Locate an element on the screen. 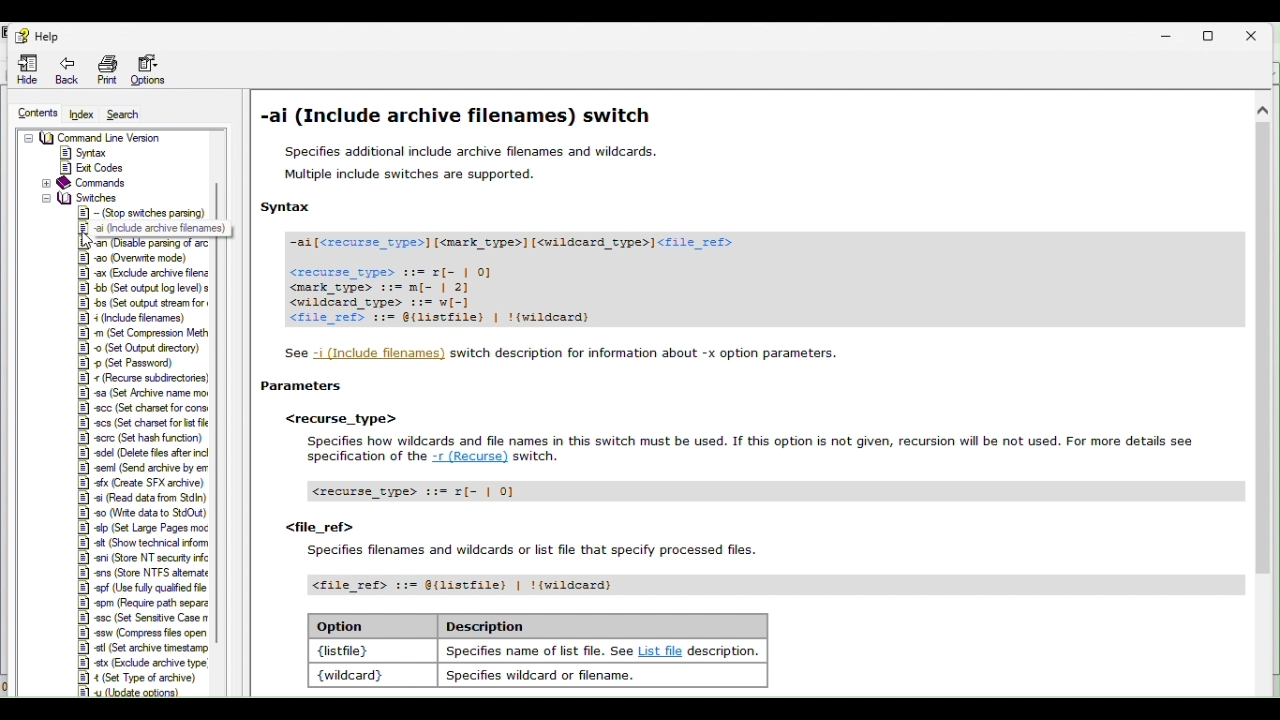  recurse subdreciones is located at coordinates (144, 377).